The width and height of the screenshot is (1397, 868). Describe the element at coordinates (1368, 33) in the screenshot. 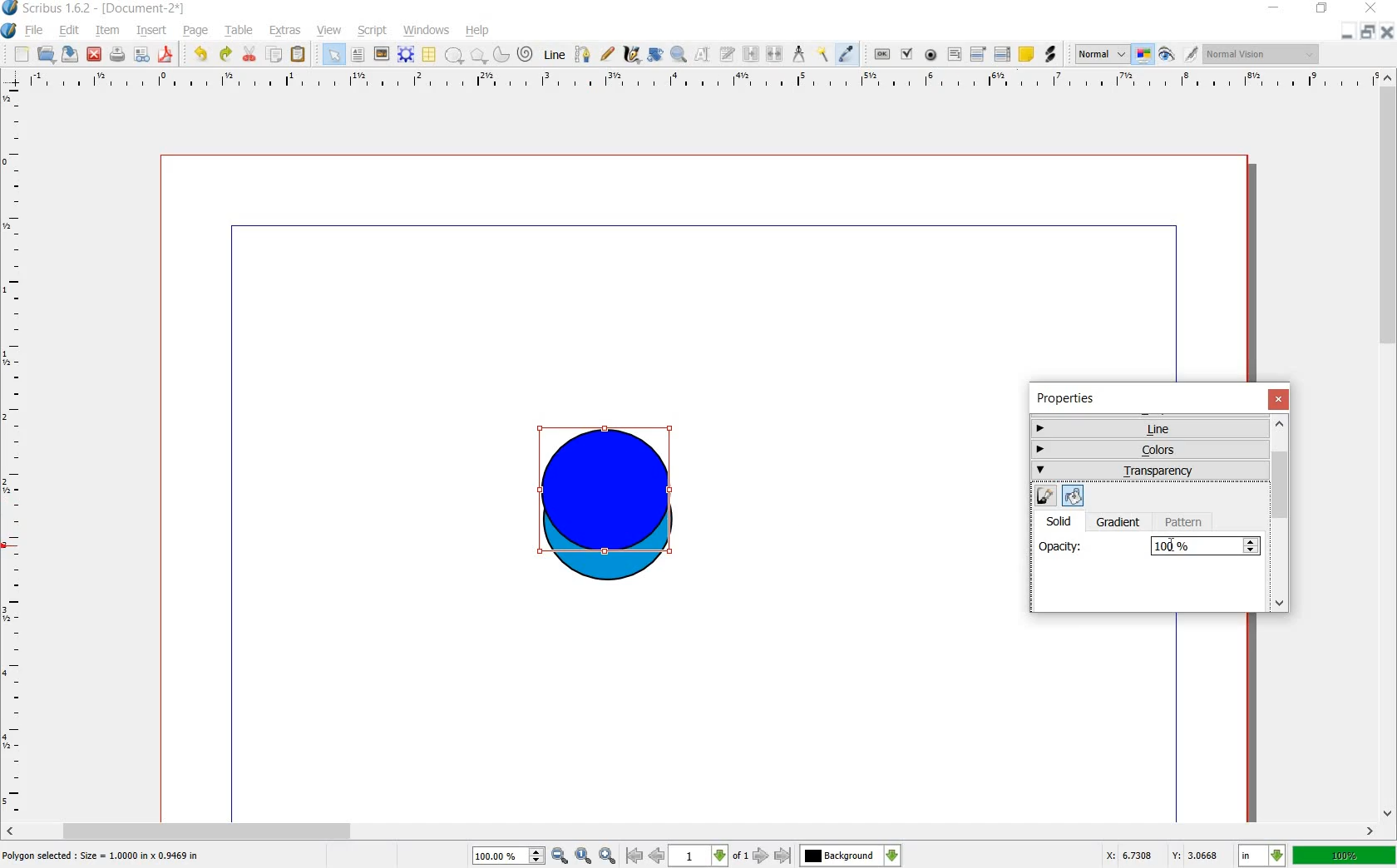

I see `restore` at that location.